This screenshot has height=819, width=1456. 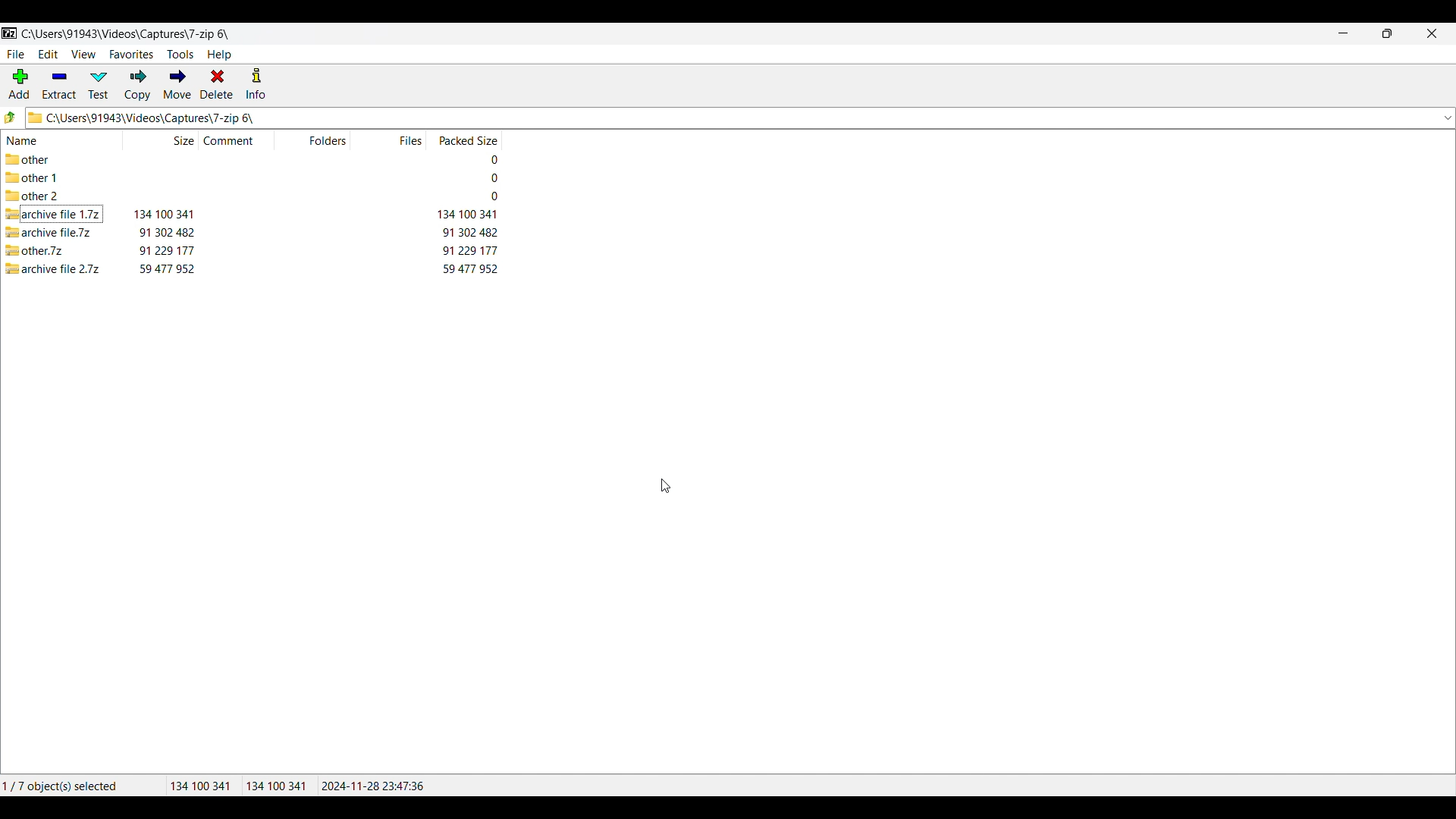 What do you see at coordinates (15, 55) in the screenshot?
I see `File menu` at bounding box center [15, 55].